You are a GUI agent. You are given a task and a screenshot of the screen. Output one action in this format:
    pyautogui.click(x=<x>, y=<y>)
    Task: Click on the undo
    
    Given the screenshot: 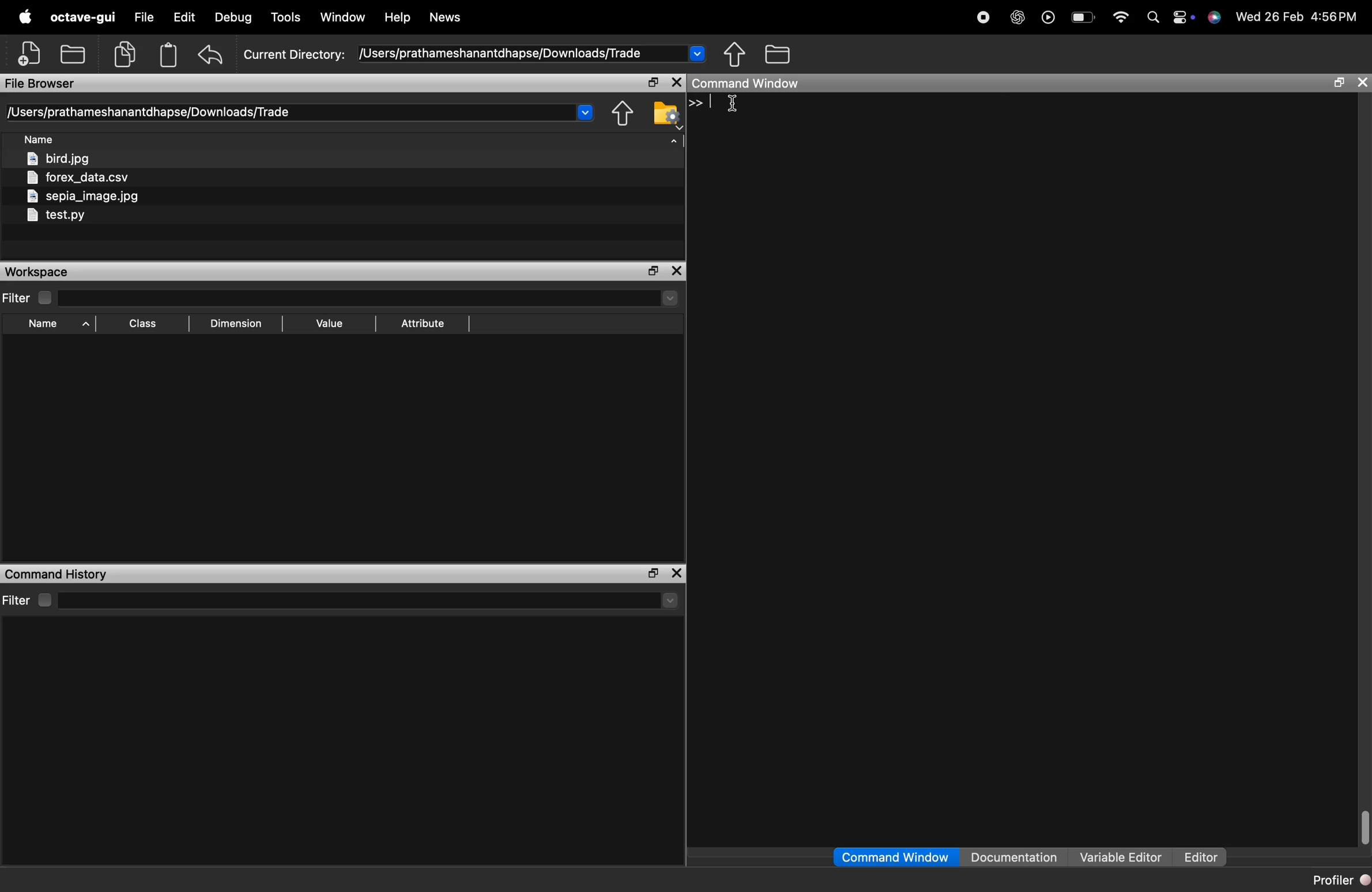 What is the action you would take?
    pyautogui.click(x=212, y=55)
    